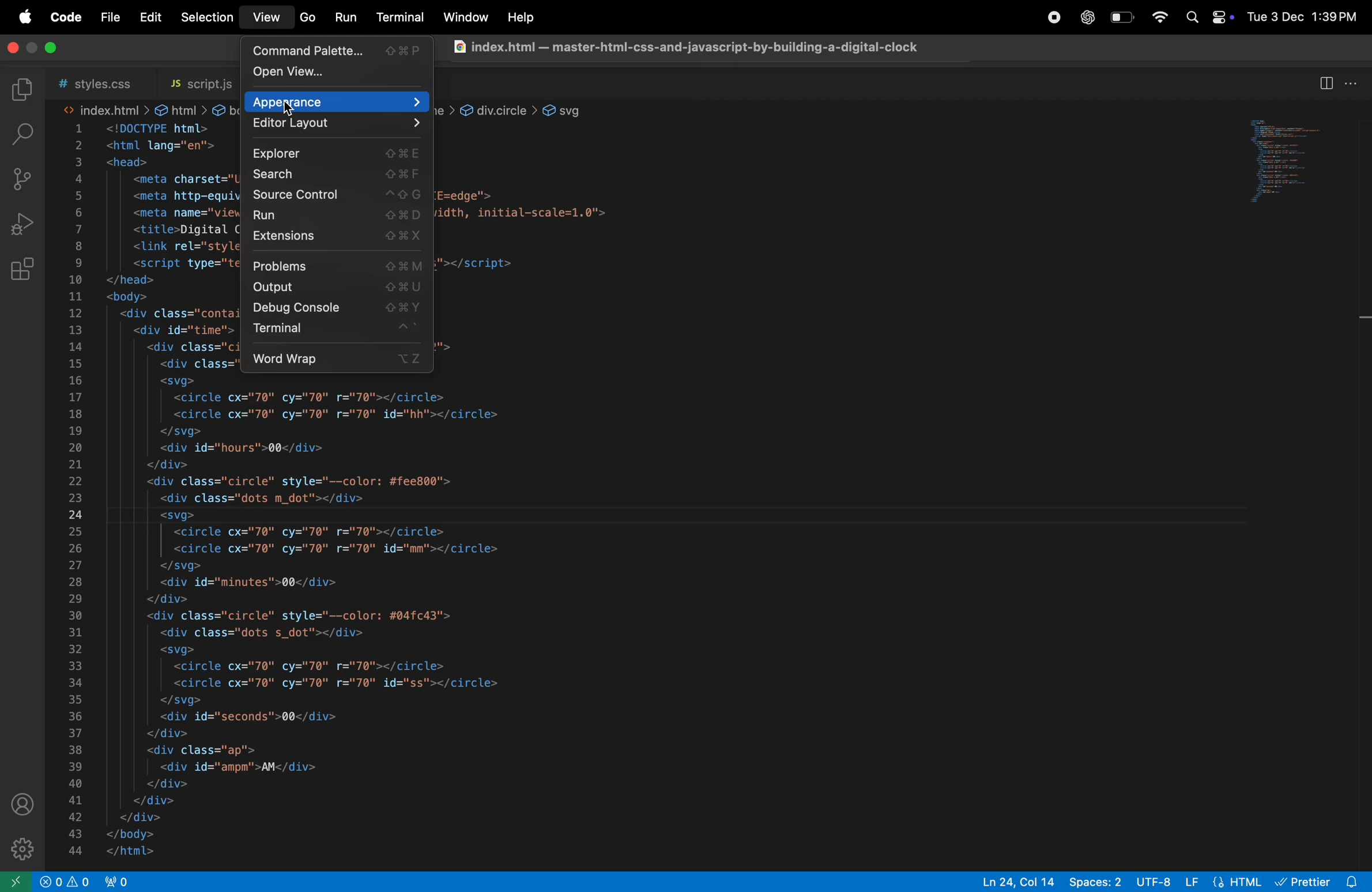 Image resolution: width=1372 pixels, height=892 pixels. Describe the element at coordinates (22, 803) in the screenshot. I see `profile` at that location.